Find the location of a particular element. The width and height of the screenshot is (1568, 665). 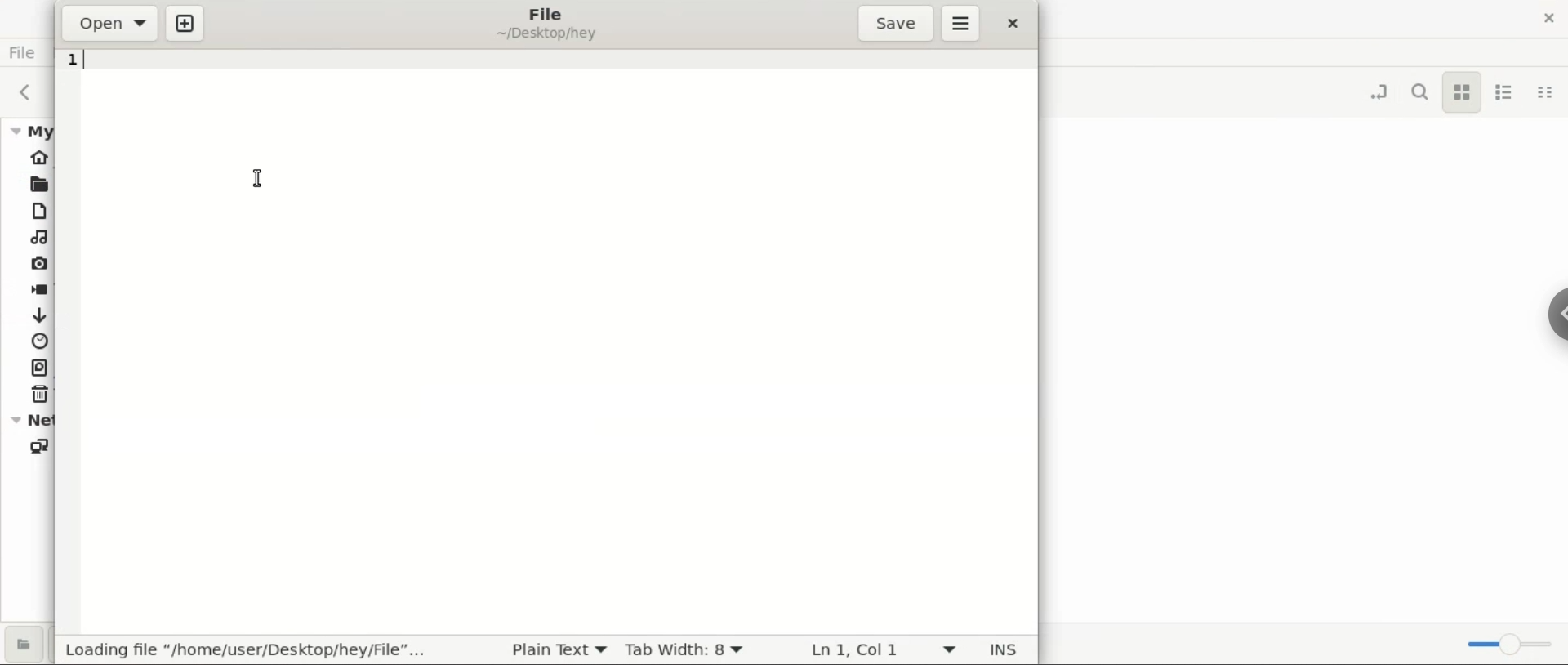

open is located at coordinates (105, 22).